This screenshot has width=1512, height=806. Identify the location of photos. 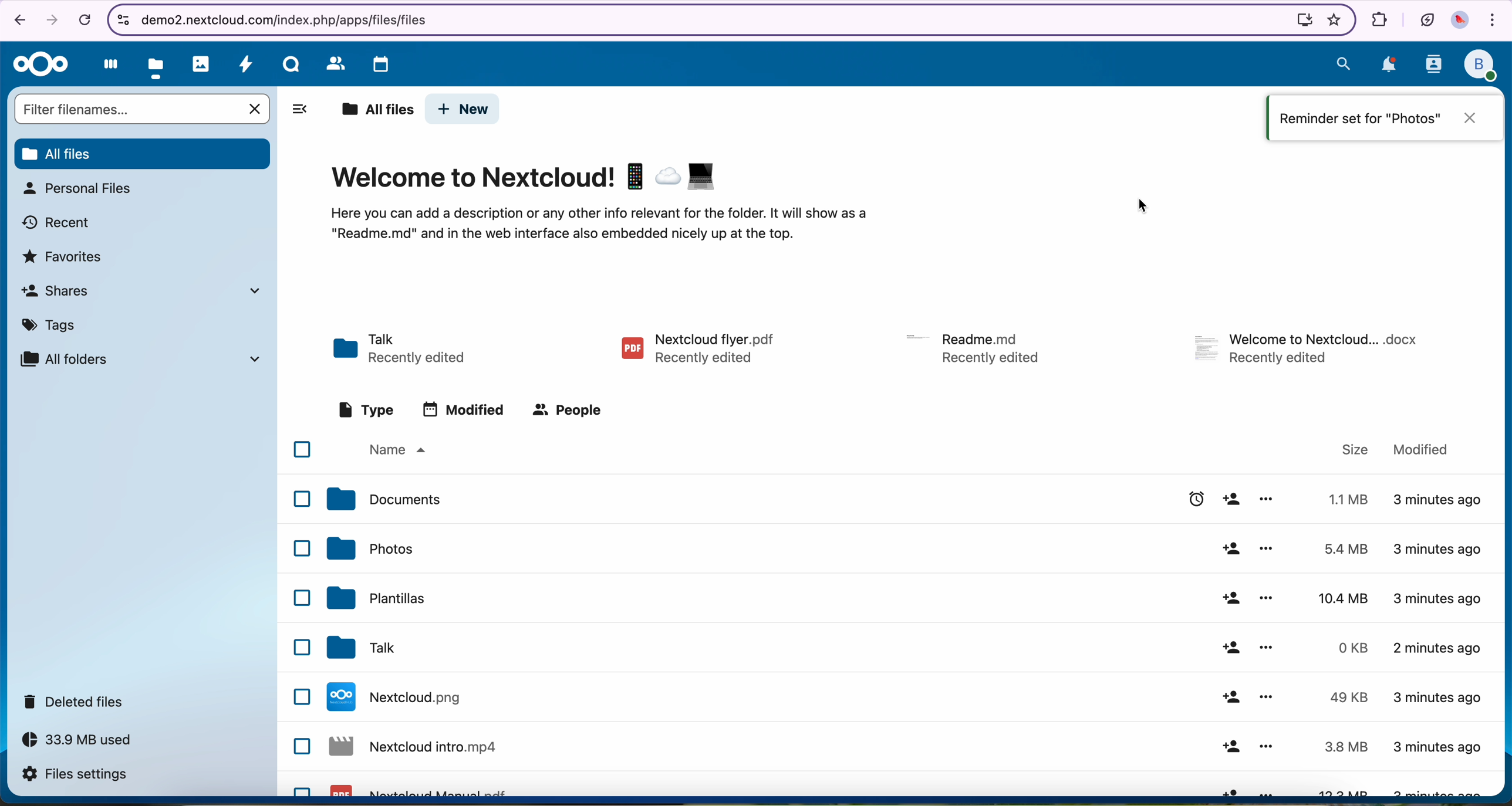
(202, 63).